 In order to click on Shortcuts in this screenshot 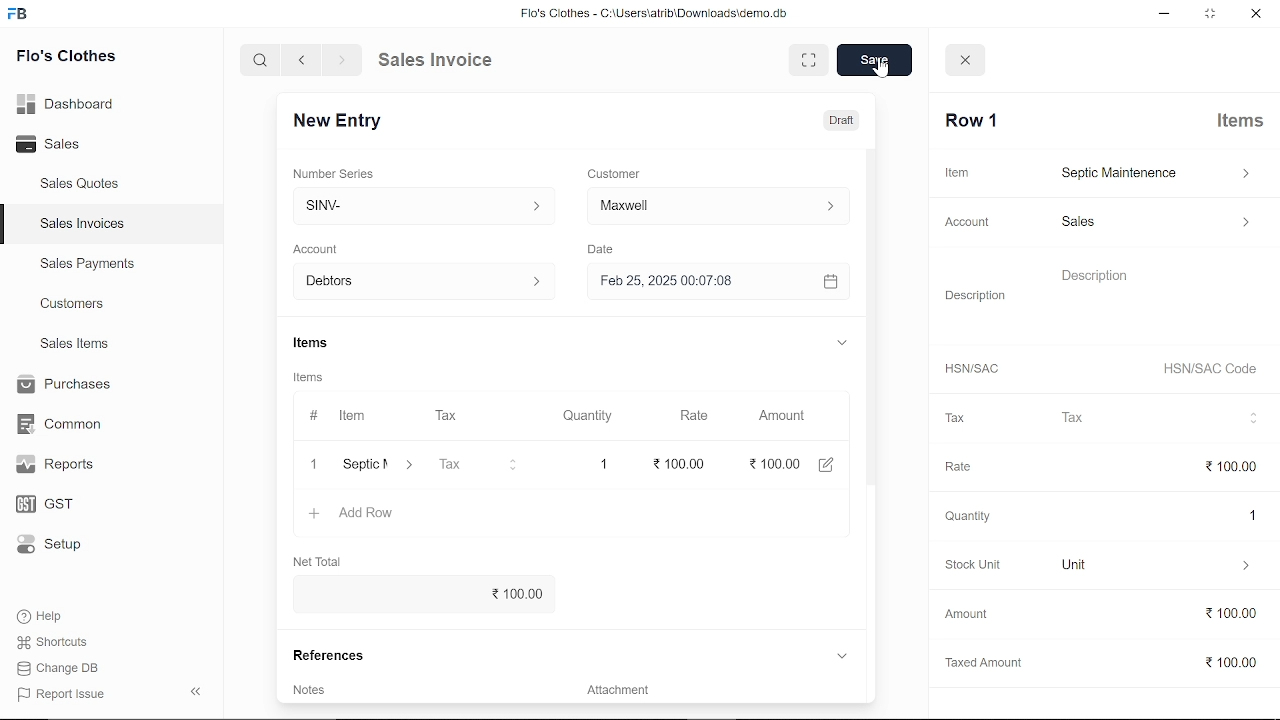, I will do `click(54, 642)`.